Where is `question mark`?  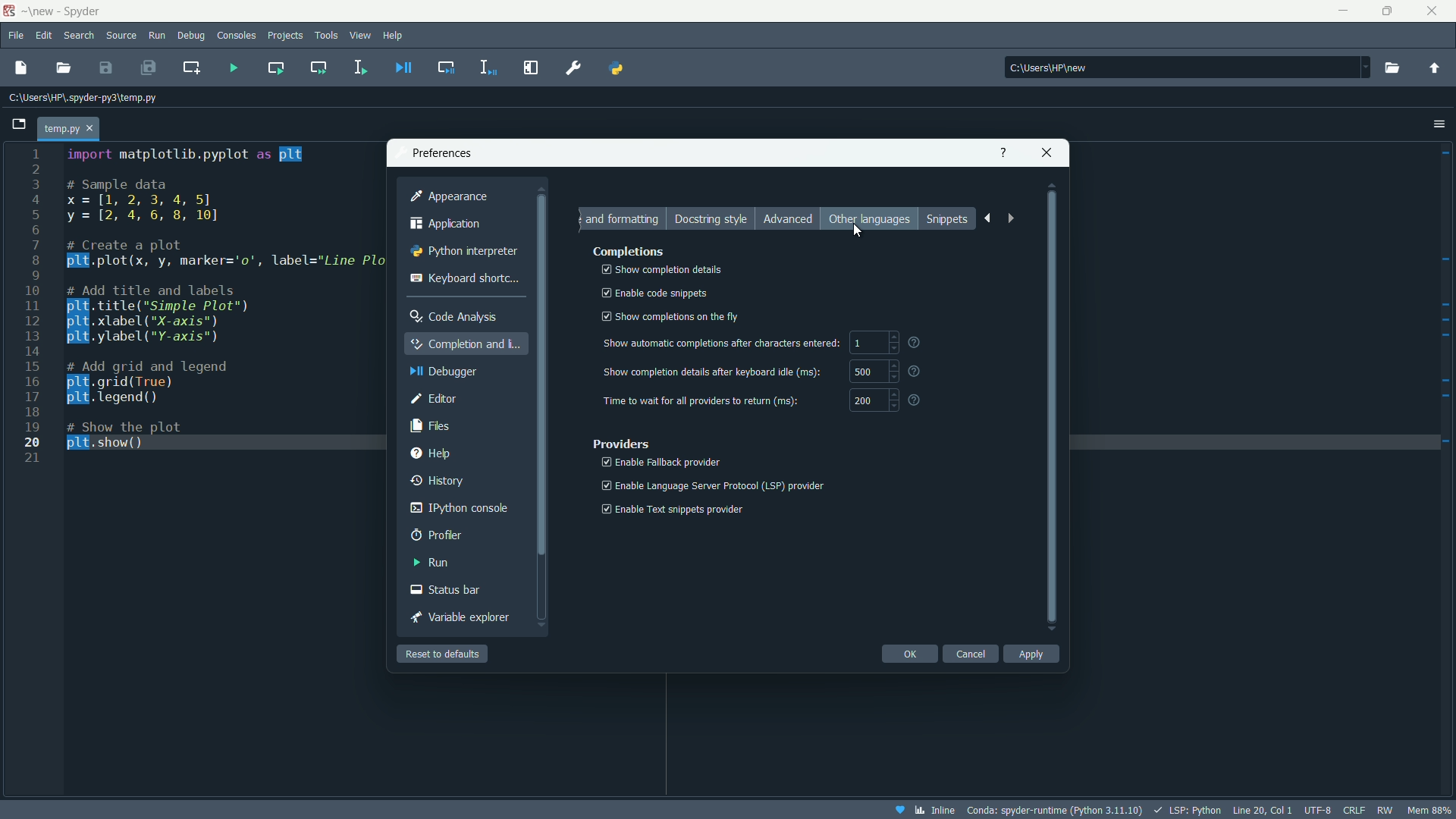 question mark is located at coordinates (917, 400).